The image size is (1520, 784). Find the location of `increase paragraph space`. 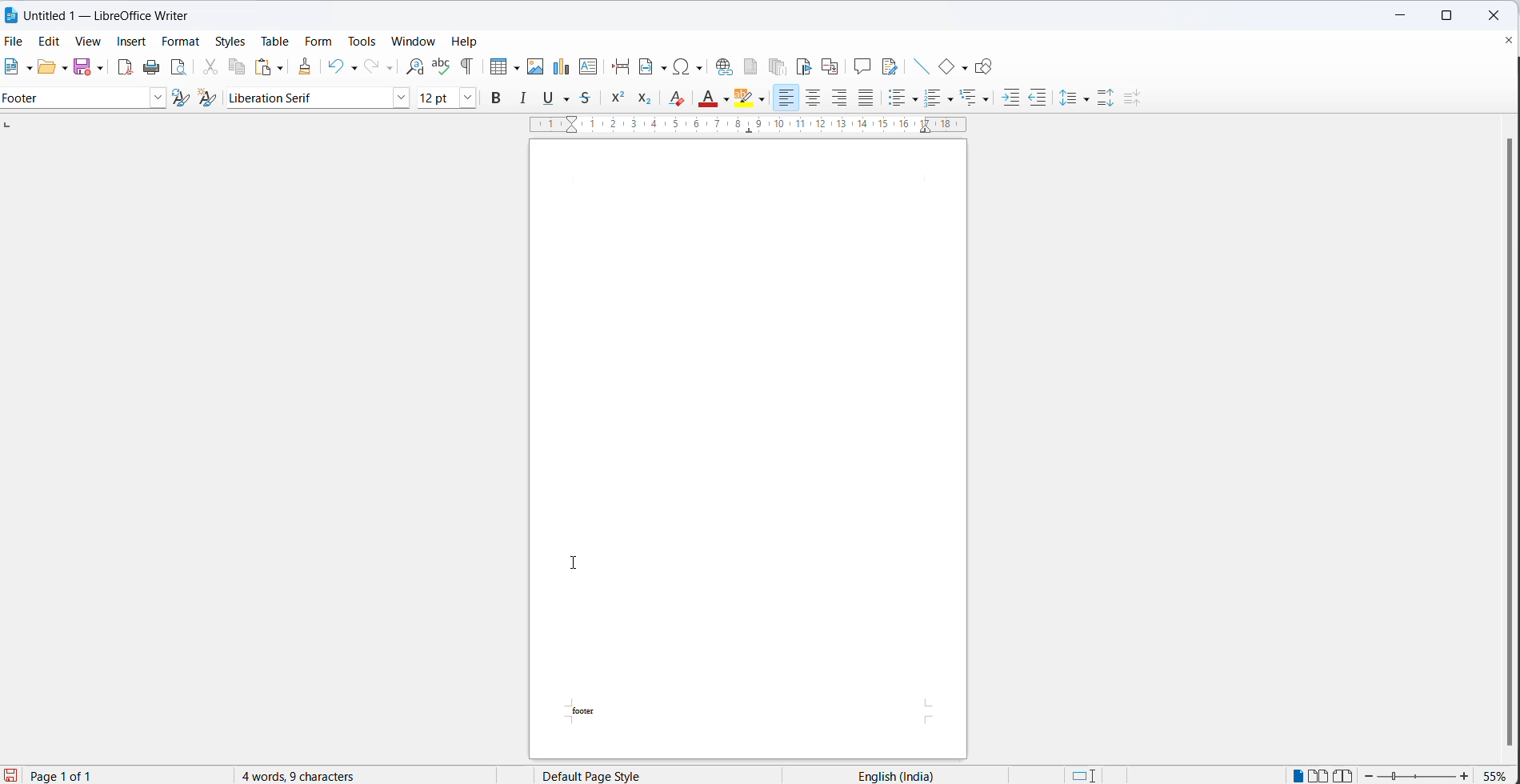

increase paragraph space is located at coordinates (1106, 96).